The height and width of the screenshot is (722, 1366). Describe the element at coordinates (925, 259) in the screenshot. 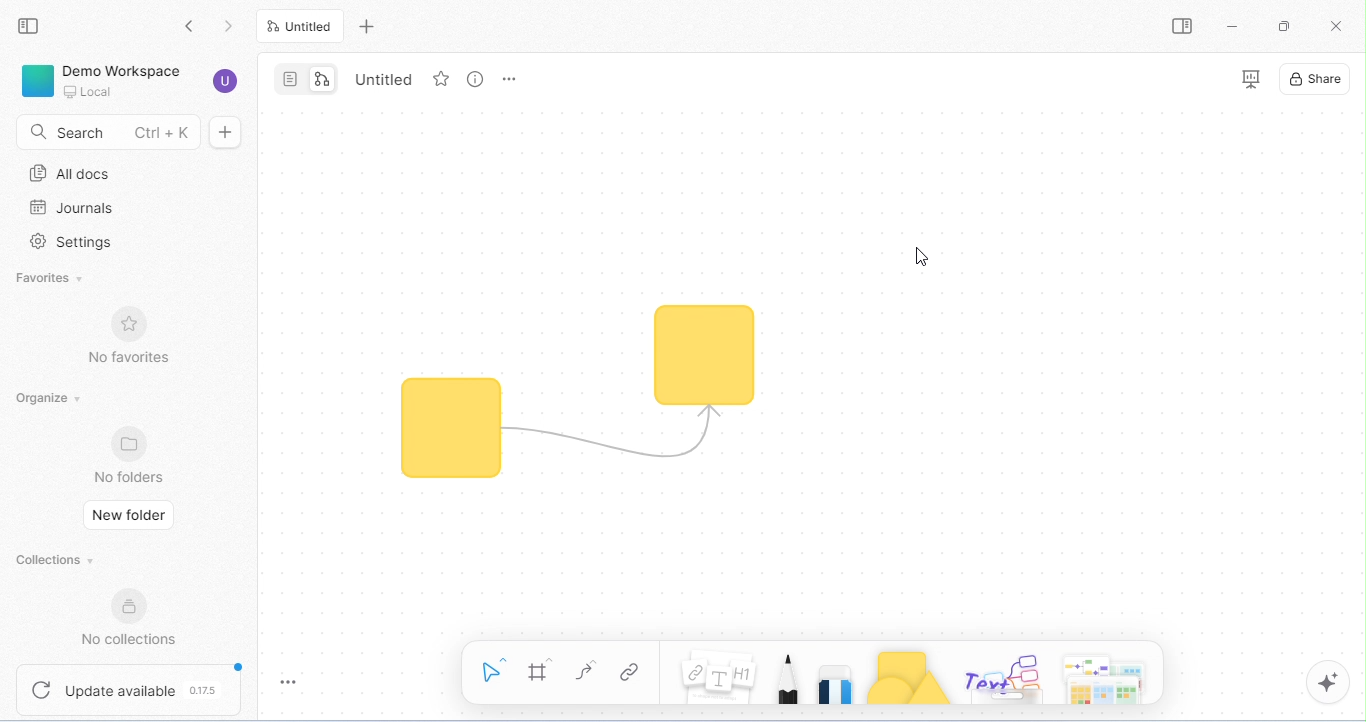

I see `cursor movement` at that location.